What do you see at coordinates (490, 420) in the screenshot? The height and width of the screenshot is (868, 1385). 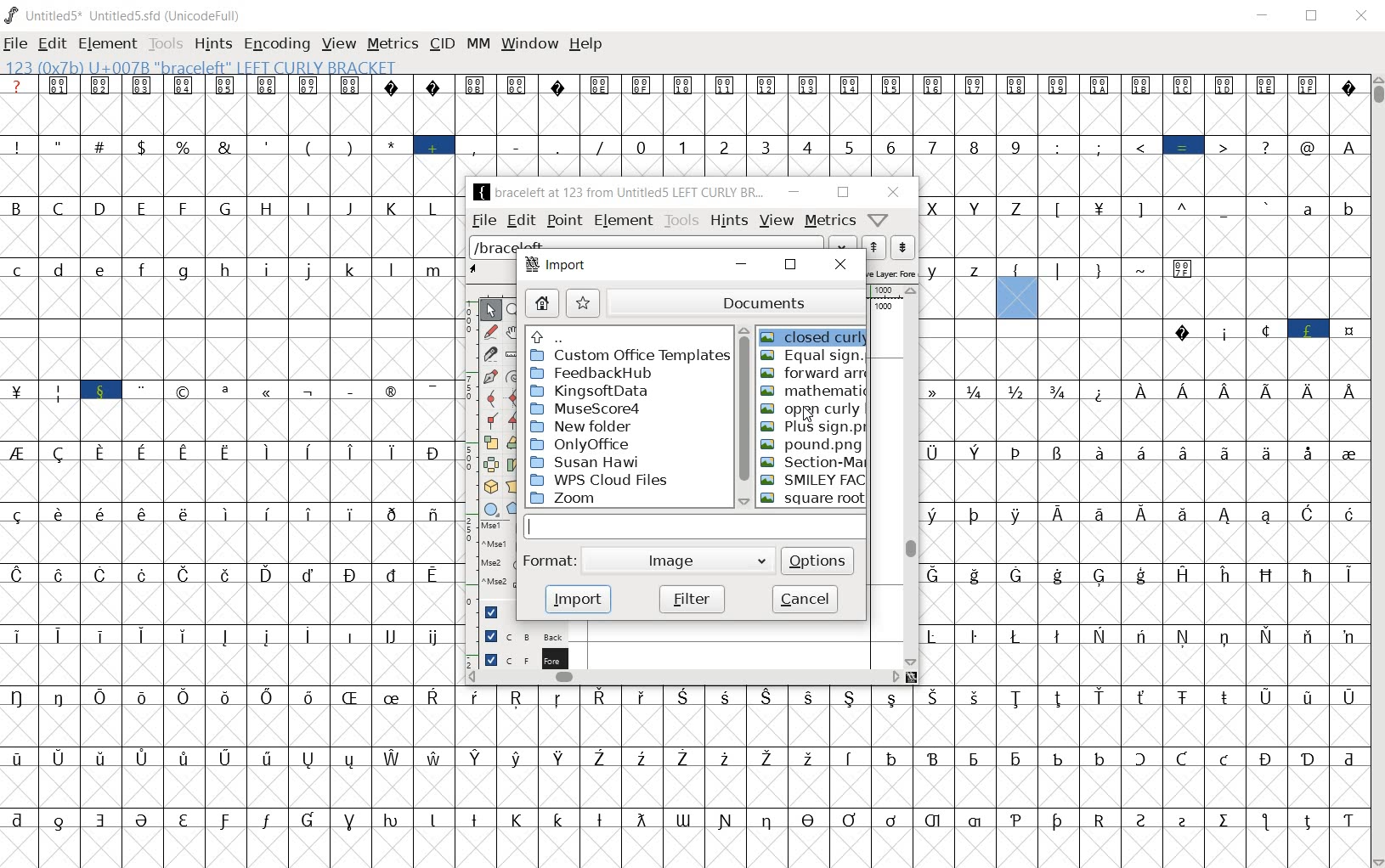 I see `Add a corner point` at bounding box center [490, 420].